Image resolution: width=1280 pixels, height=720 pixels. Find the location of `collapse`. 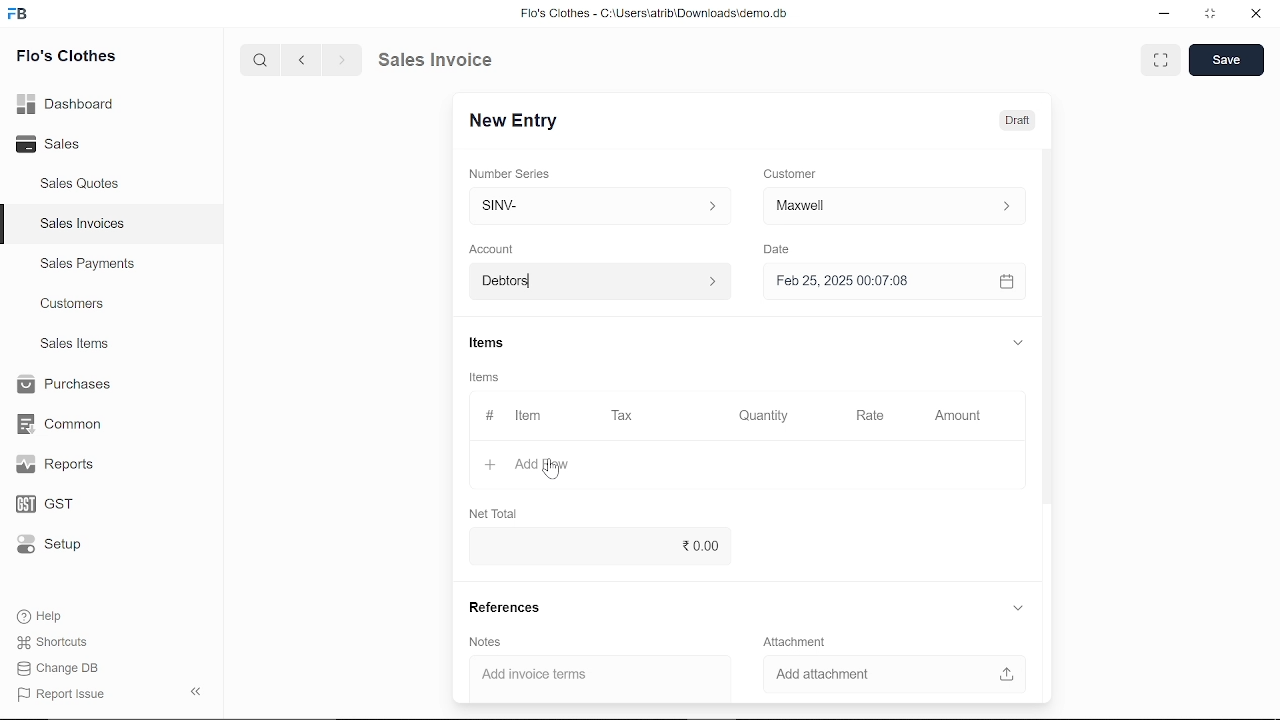

collapse is located at coordinates (198, 693).